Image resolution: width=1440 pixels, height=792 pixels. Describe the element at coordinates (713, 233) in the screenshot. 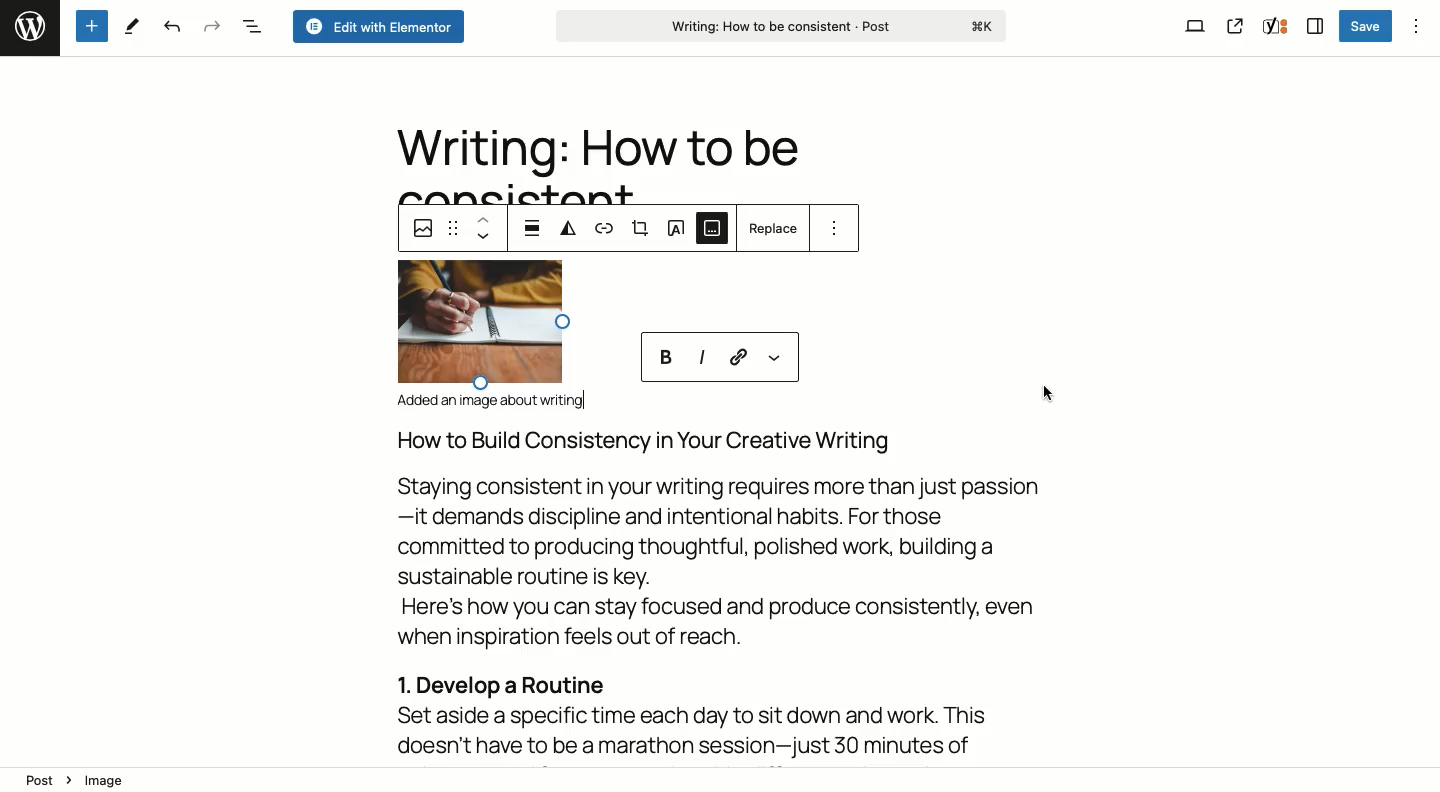

I see `Add caption` at that location.